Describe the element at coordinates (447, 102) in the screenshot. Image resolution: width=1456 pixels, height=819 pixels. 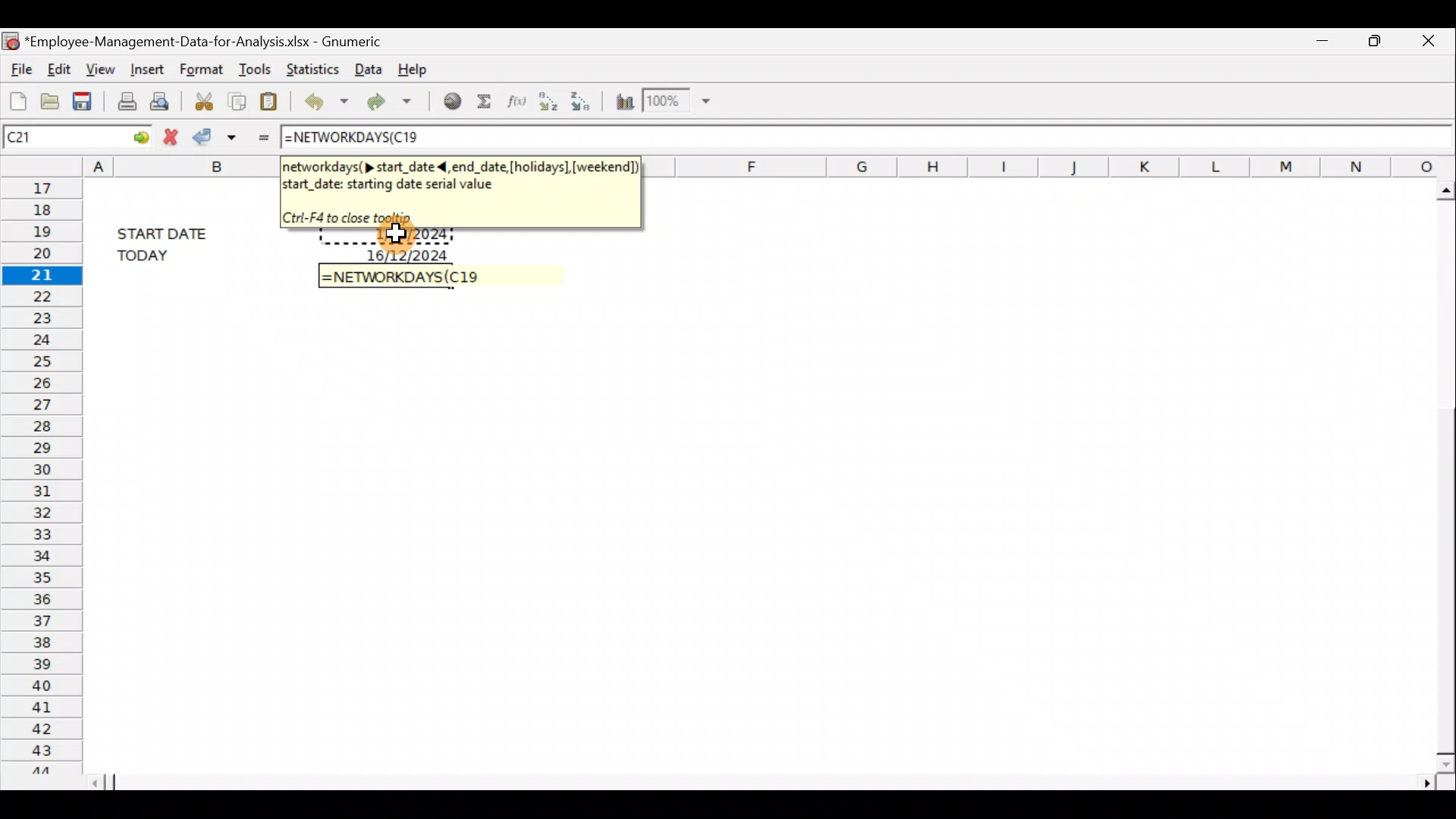
I see `Insert hyperlink` at that location.